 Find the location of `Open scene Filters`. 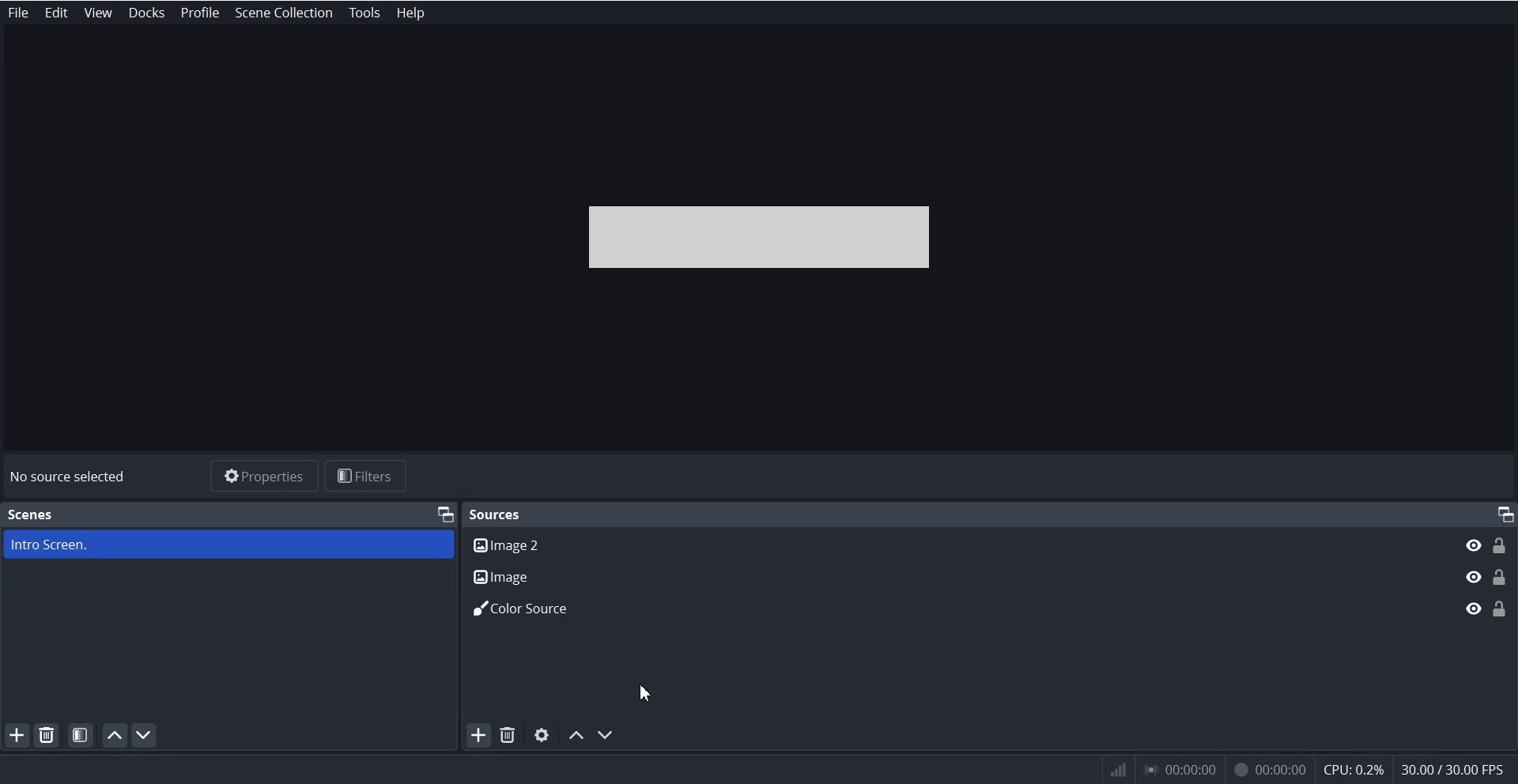

Open scene Filters is located at coordinates (81, 734).